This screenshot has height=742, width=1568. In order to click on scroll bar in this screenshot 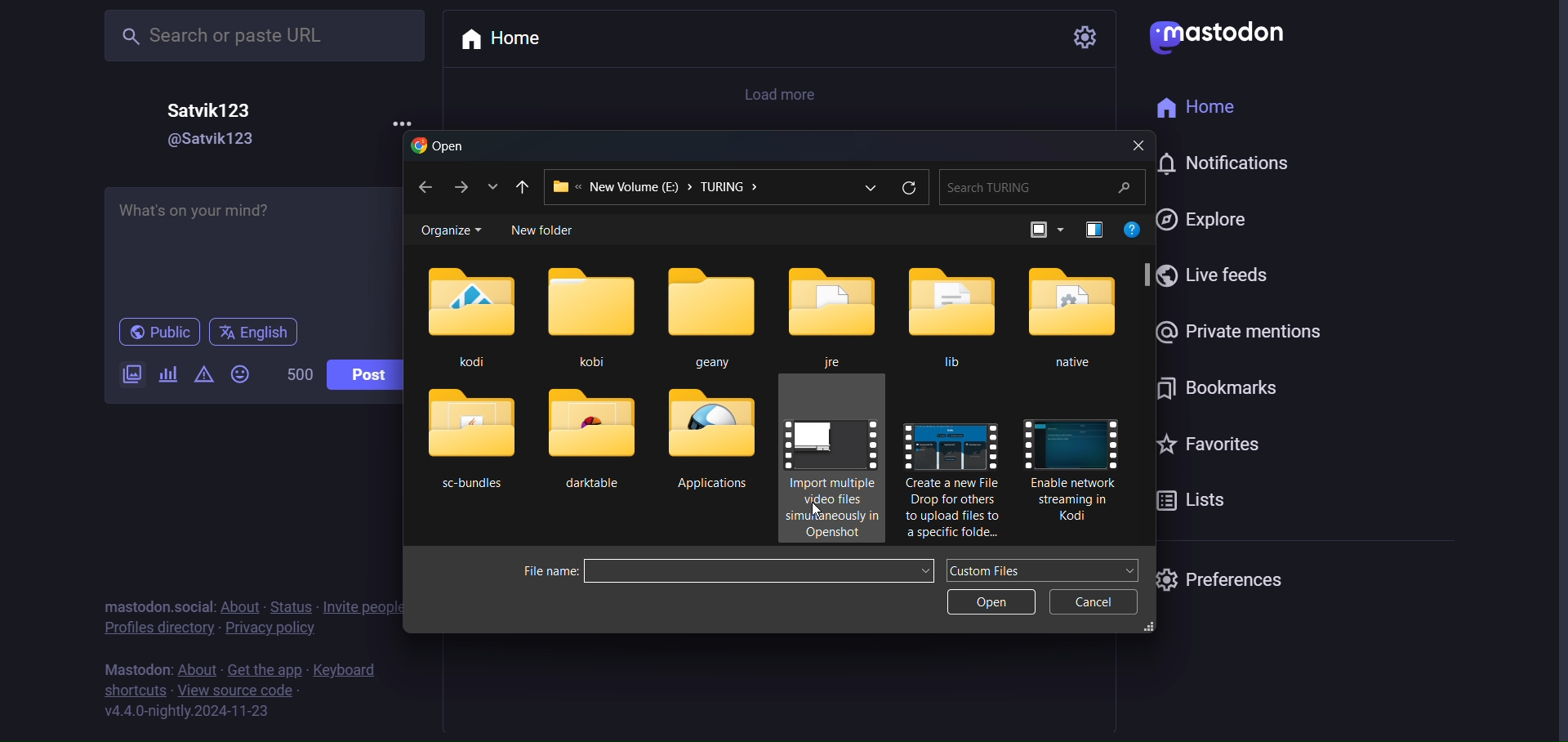, I will do `click(1148, 274)`.